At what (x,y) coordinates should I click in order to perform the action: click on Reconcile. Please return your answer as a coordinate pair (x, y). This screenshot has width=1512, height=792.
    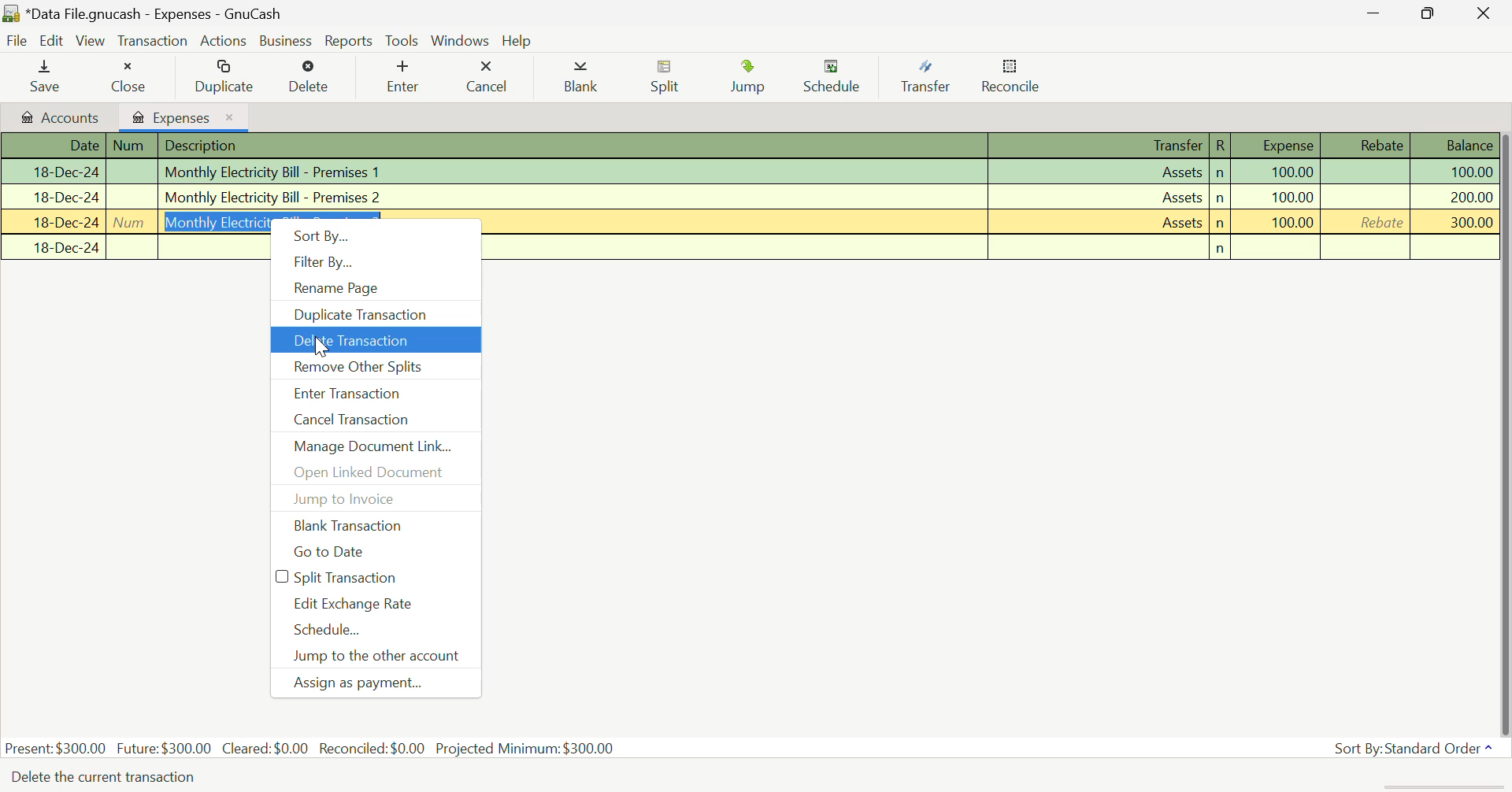
    Looking at the image, I should click on (1010, 80).